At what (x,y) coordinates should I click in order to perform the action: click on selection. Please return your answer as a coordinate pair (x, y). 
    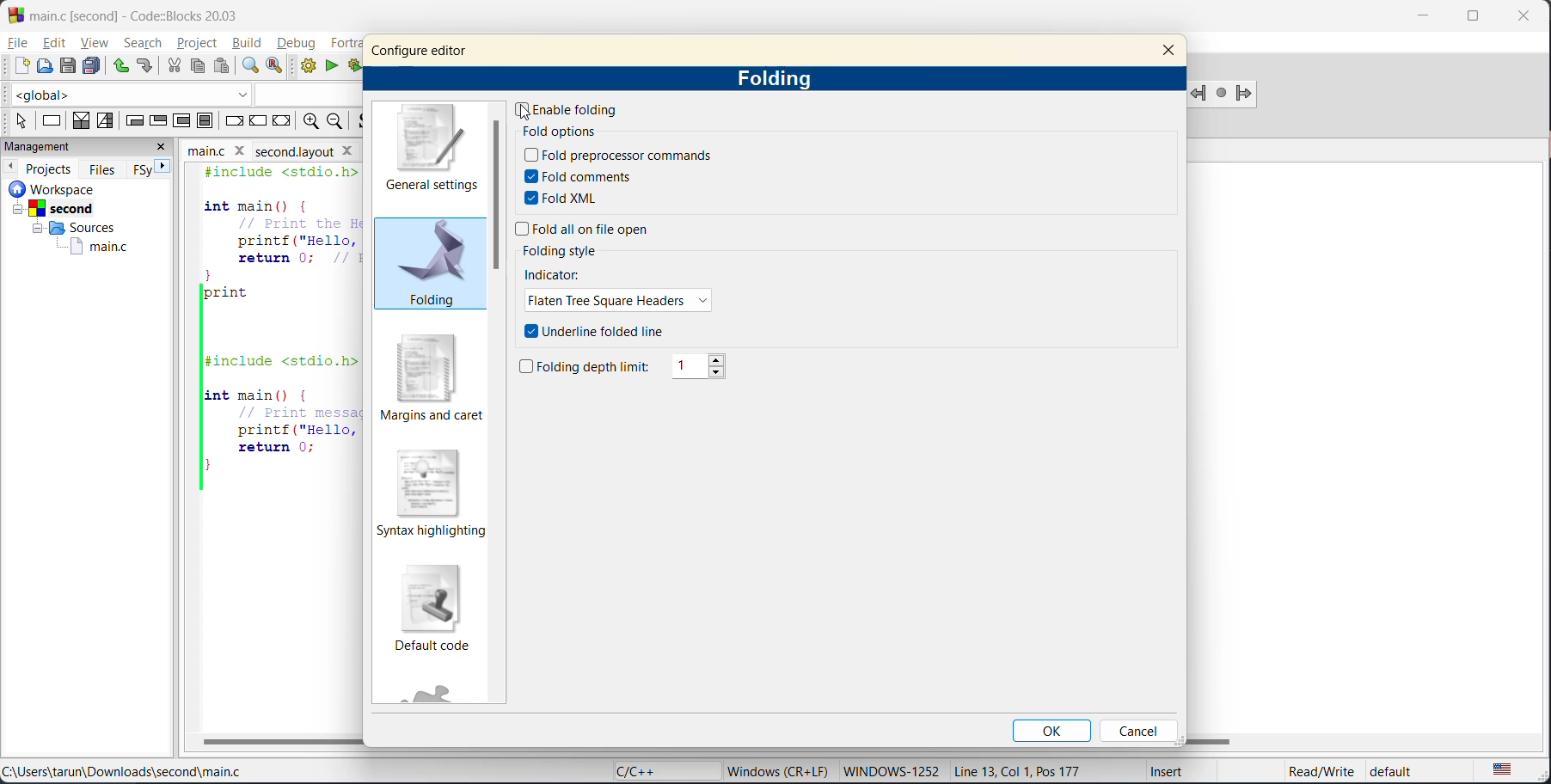
    Looking at the image, I should click on (107, 120).